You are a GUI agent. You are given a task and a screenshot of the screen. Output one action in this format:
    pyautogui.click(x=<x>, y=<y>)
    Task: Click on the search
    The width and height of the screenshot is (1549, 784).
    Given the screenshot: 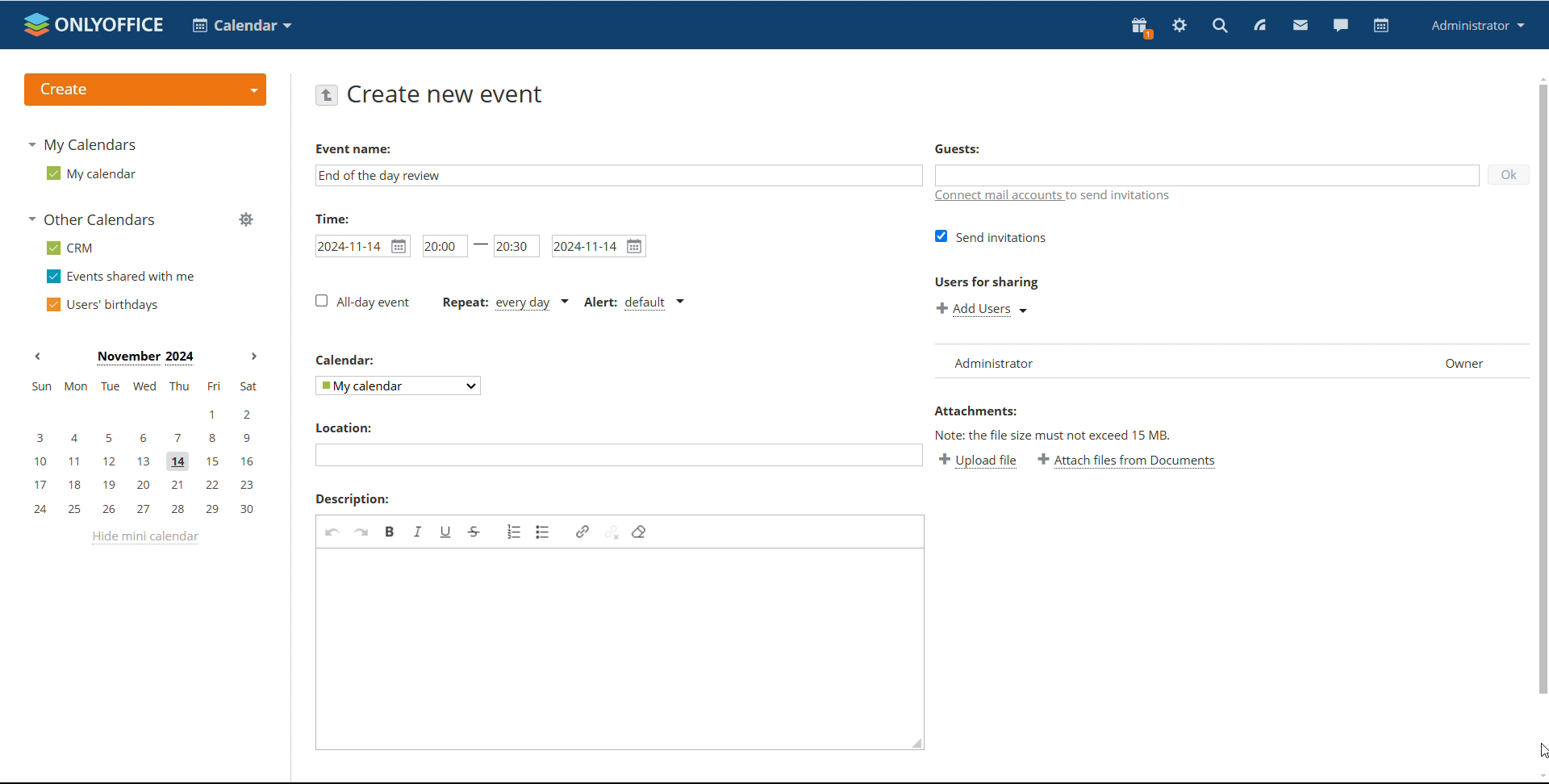 What is the action you would take?
    pyautogui.click(x=1219, y=27)
    